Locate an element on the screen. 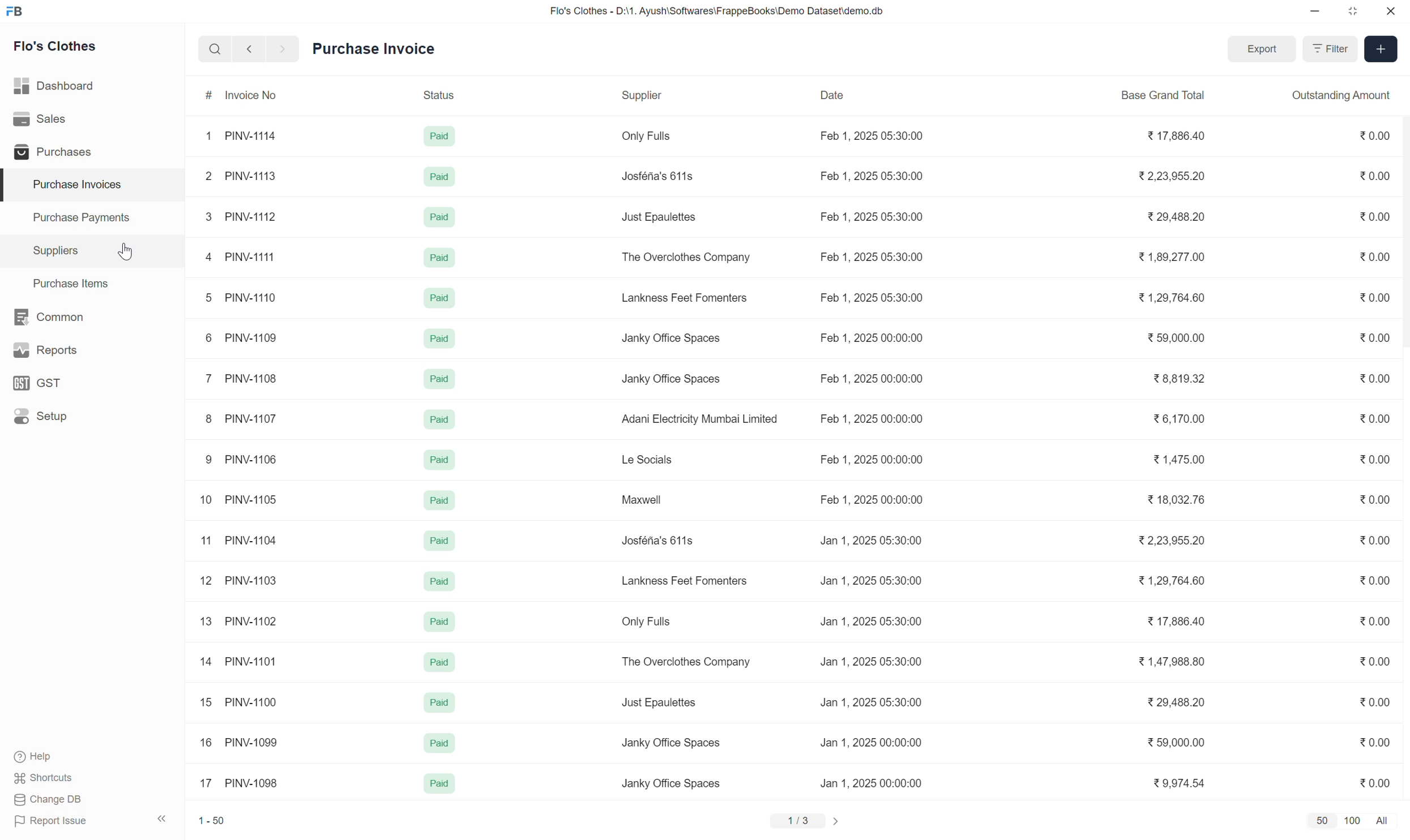 The width and height of the screenshot is (1410, 840). Jan 1, 2025 05:30:00 is located at coordinates (871, 622).